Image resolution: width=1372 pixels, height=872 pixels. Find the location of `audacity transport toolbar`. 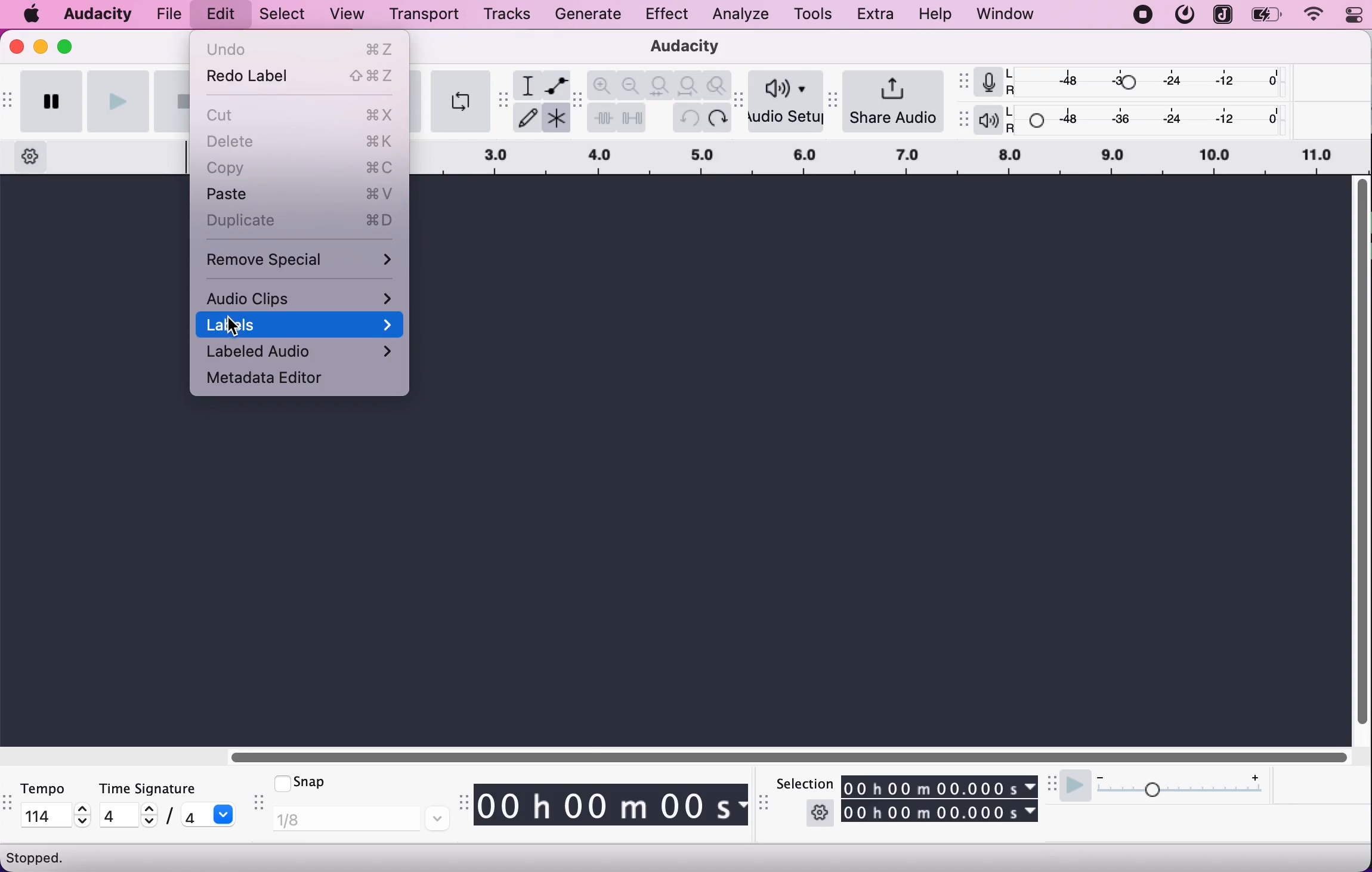

audacity transport toolbar is located at coordinates (8, 98).